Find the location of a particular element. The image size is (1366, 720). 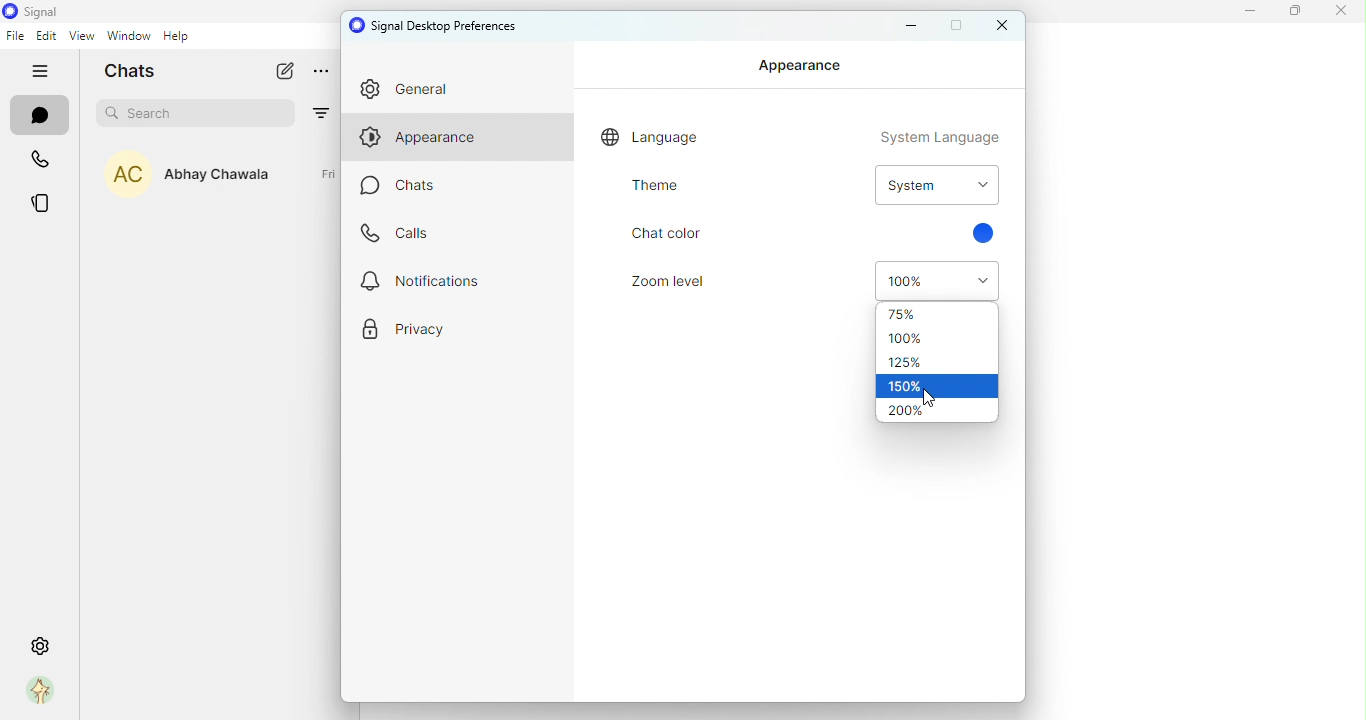

Zoom level is located at coordinates (655, 285).